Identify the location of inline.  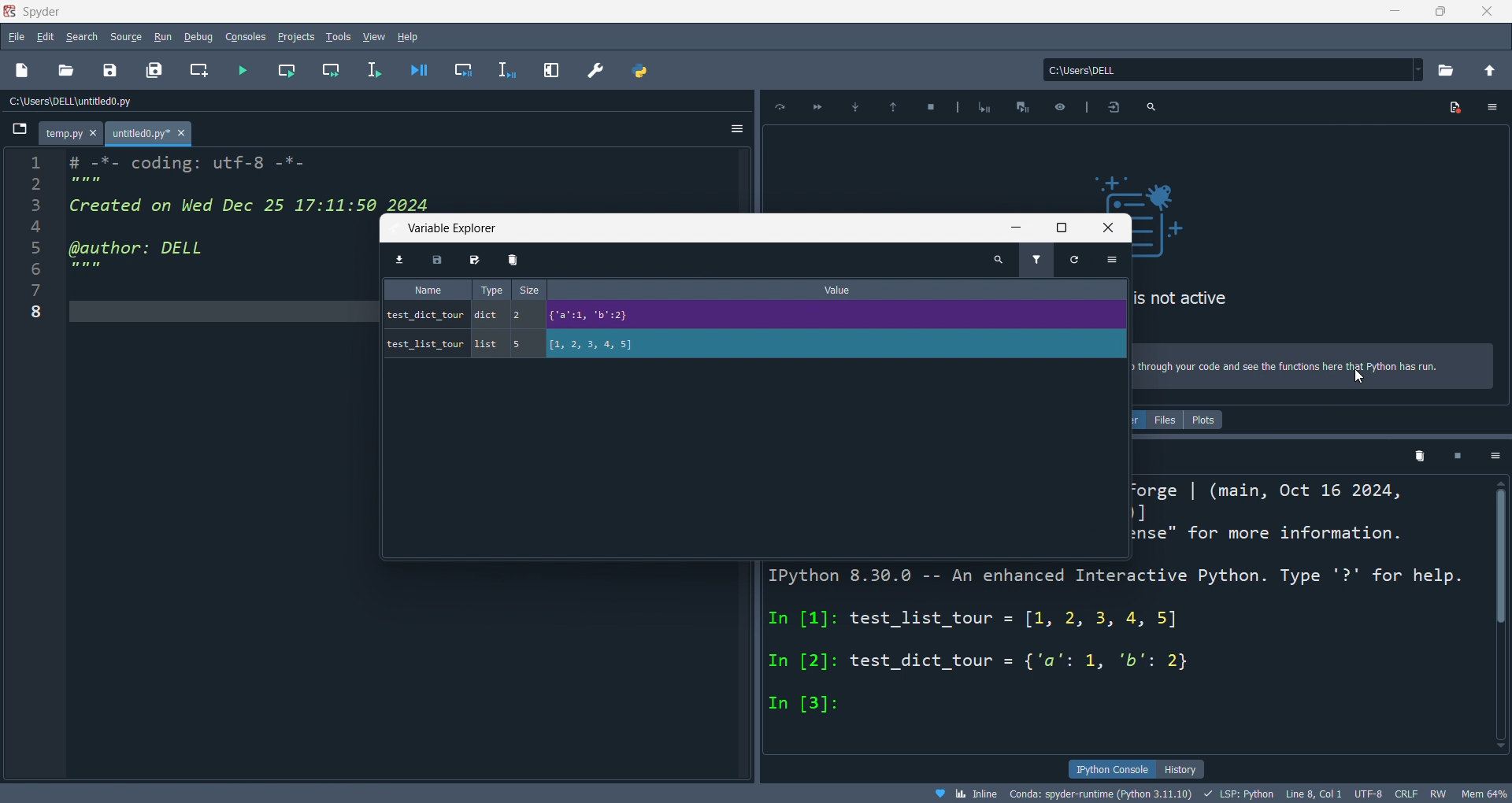
(964, 792).